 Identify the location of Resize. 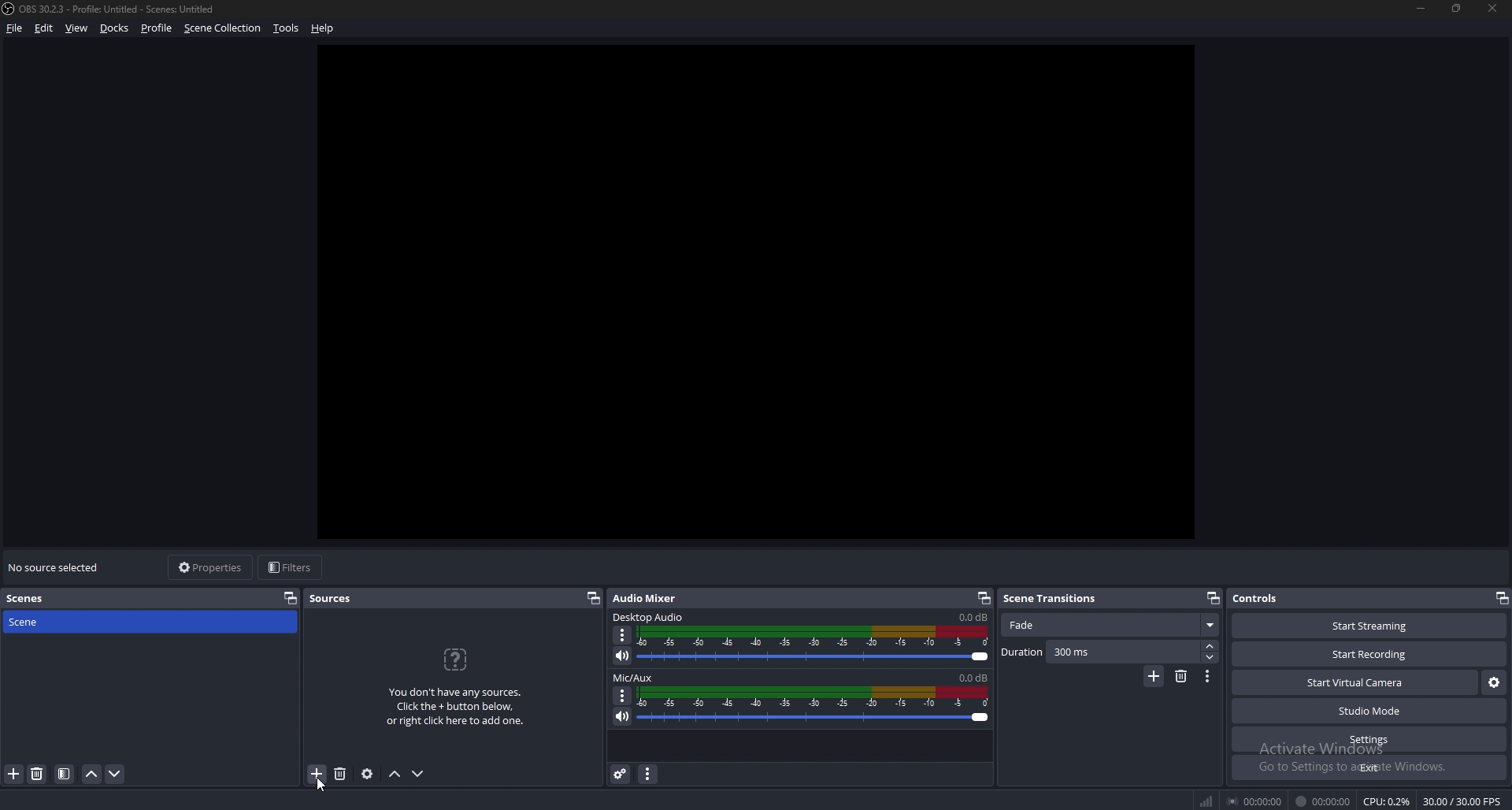
(1457, 7).